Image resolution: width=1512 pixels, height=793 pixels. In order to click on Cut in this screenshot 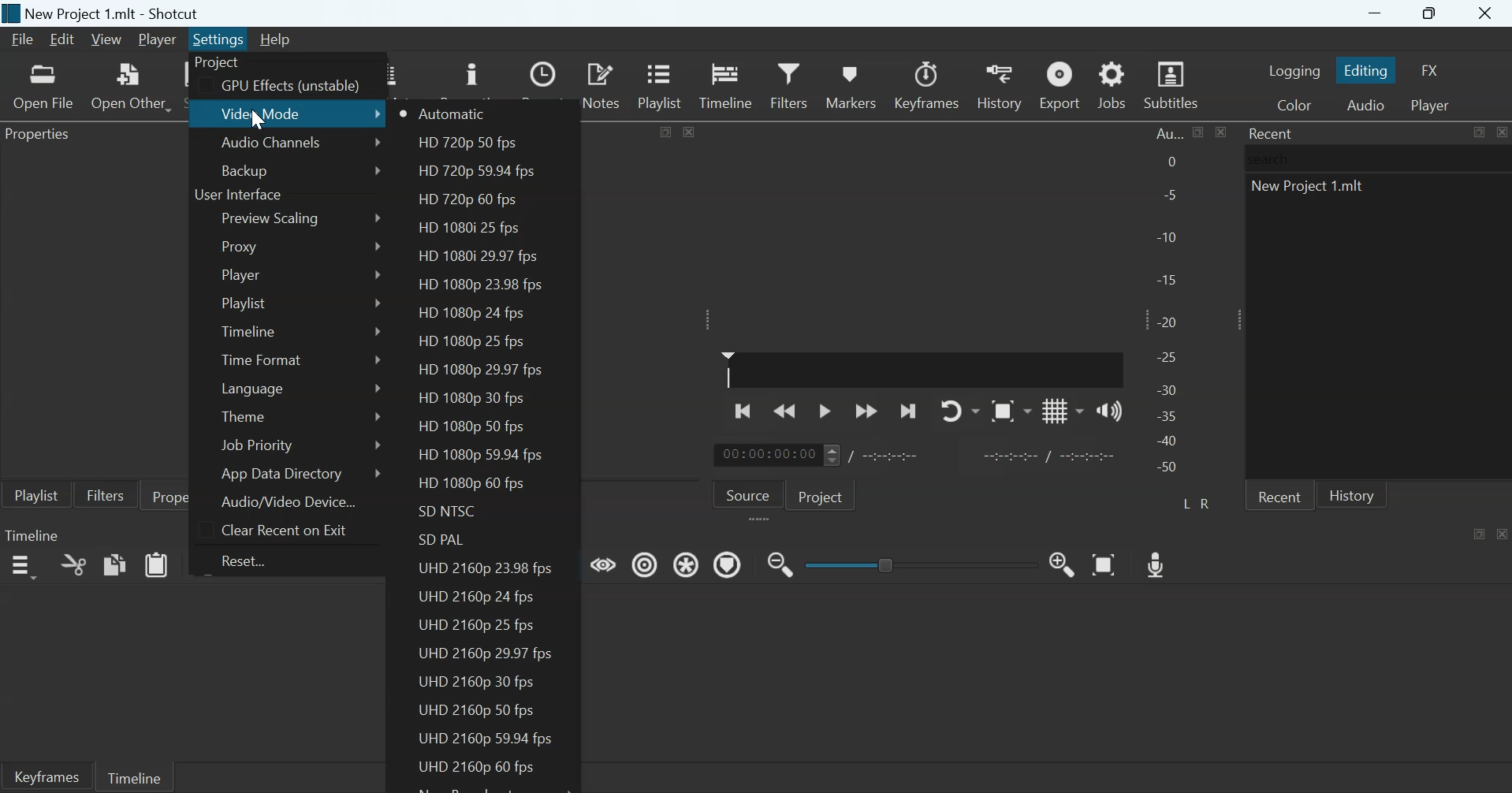, I will do `click(73, 564)`.